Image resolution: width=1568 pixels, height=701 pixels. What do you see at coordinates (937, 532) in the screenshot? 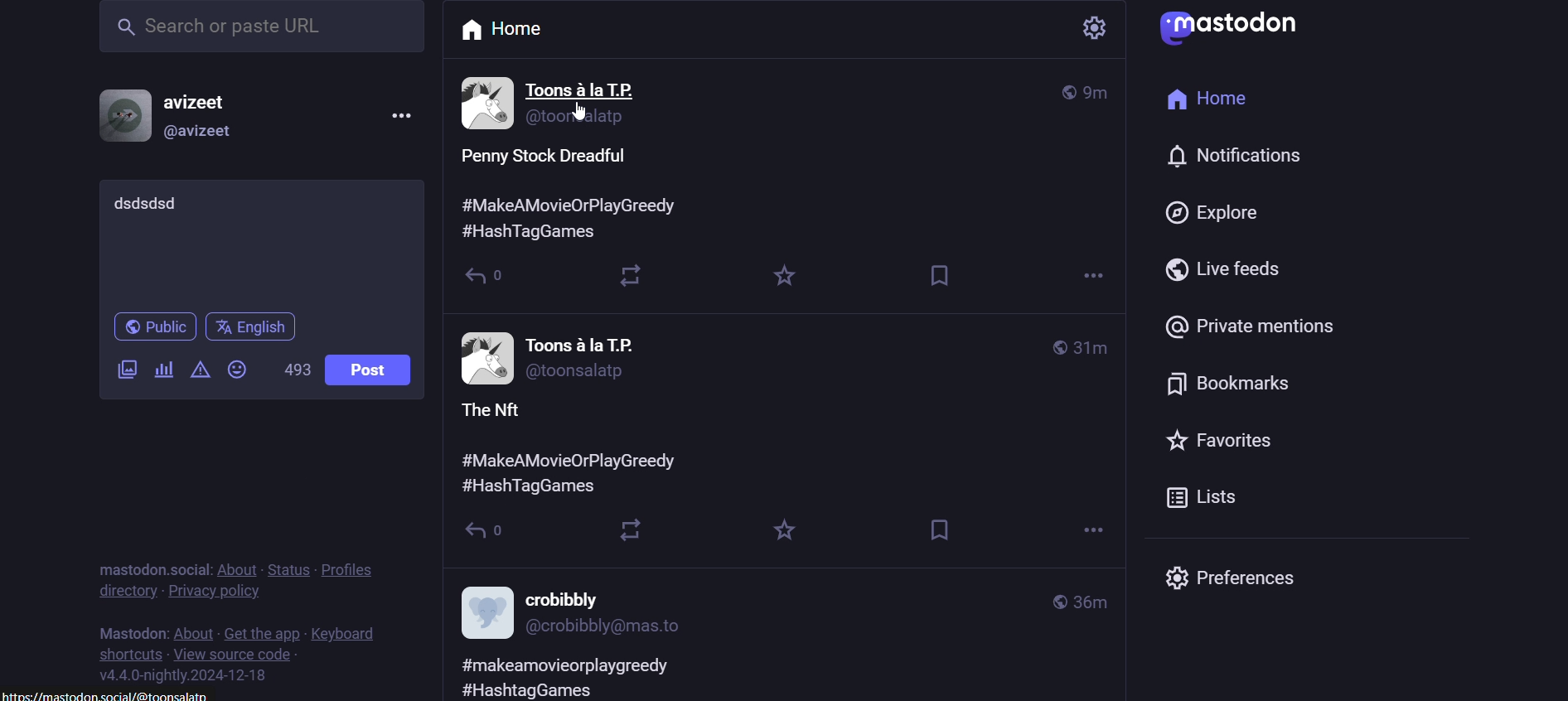
I see `` at bounding box center [937, 532].